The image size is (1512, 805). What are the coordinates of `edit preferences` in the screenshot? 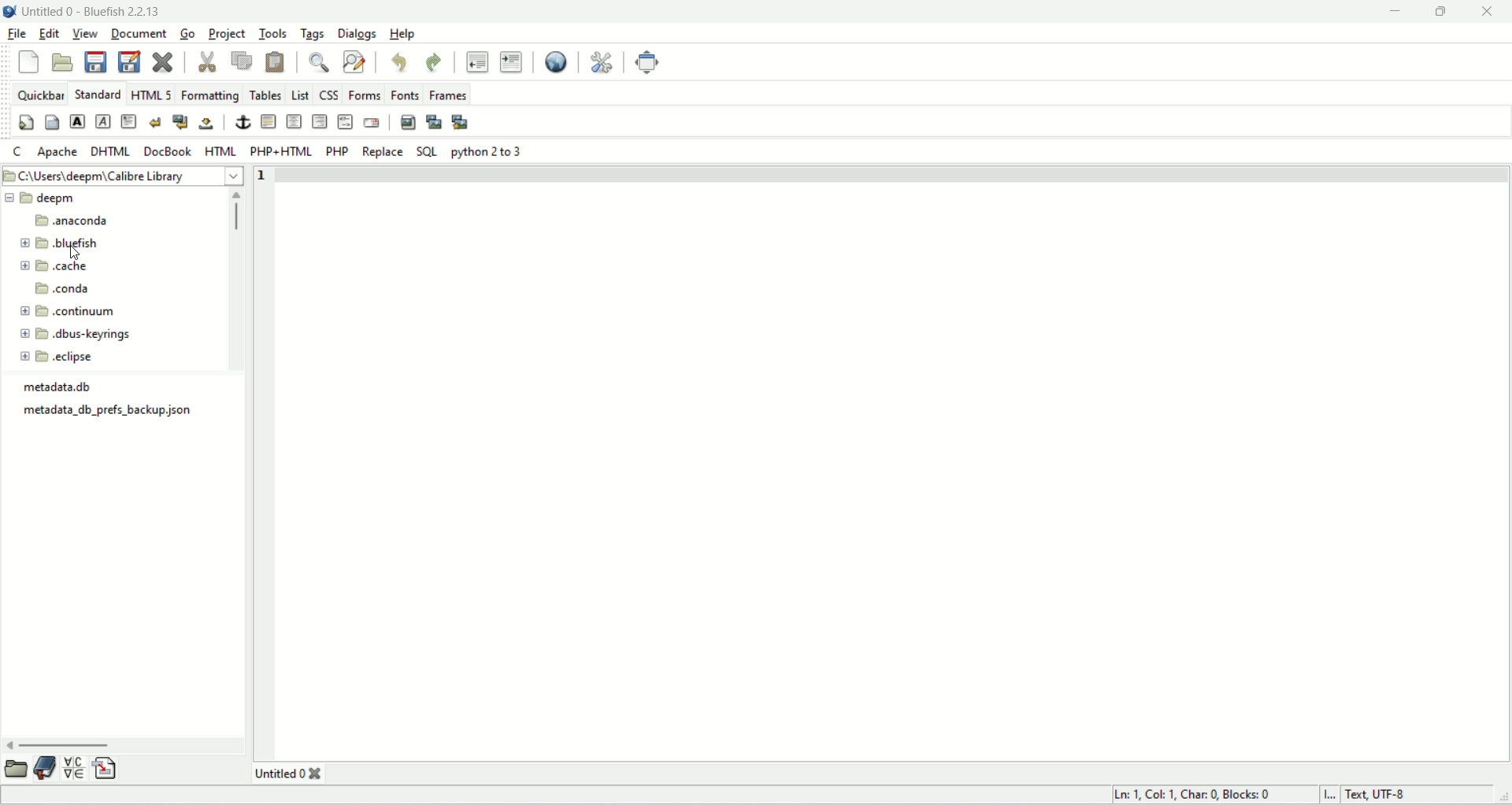 It's located at (606, 63).